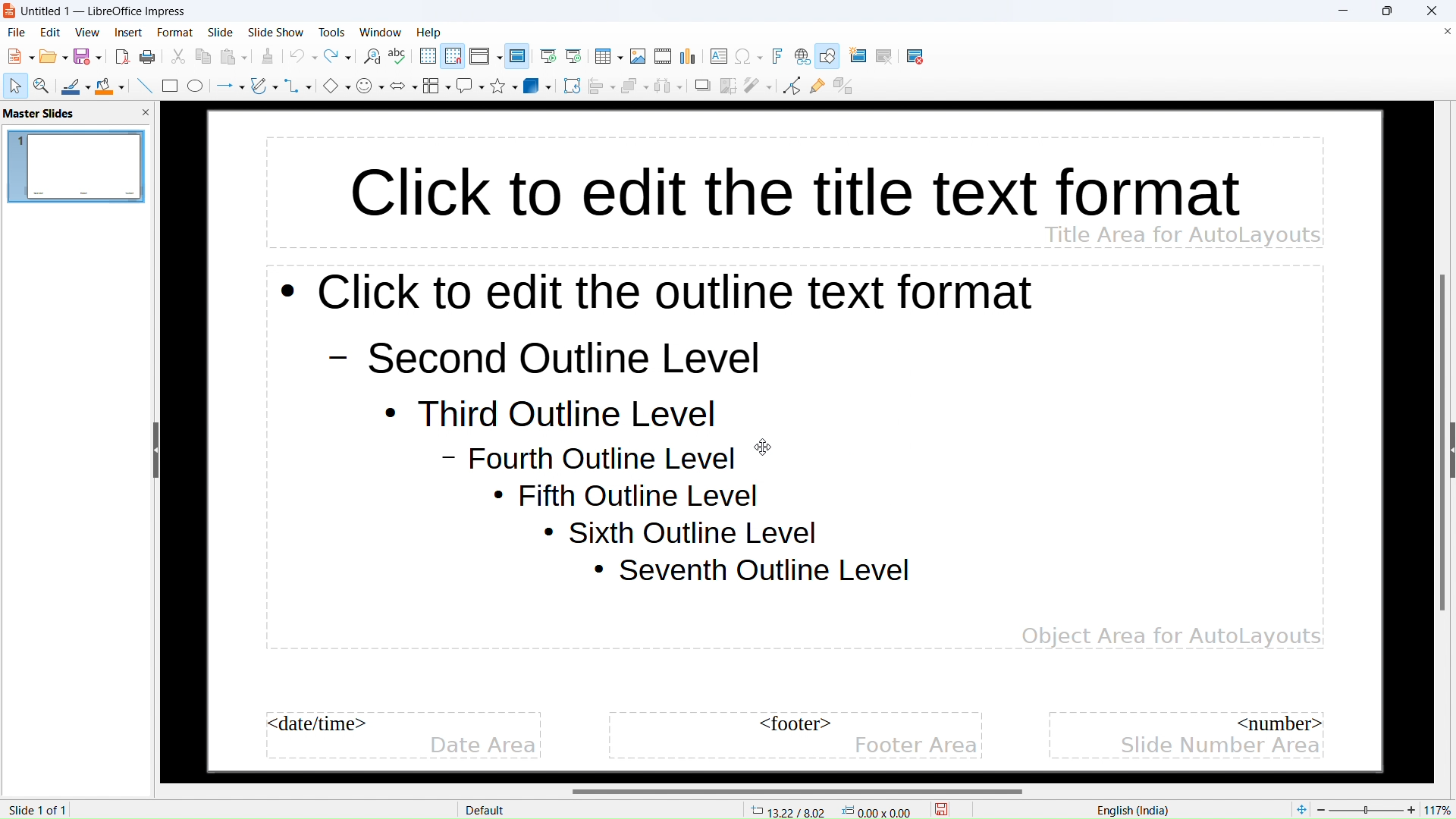  Describe the element at coordinates (552, 357) in the screenshot. I see `Second outline level` at that location.